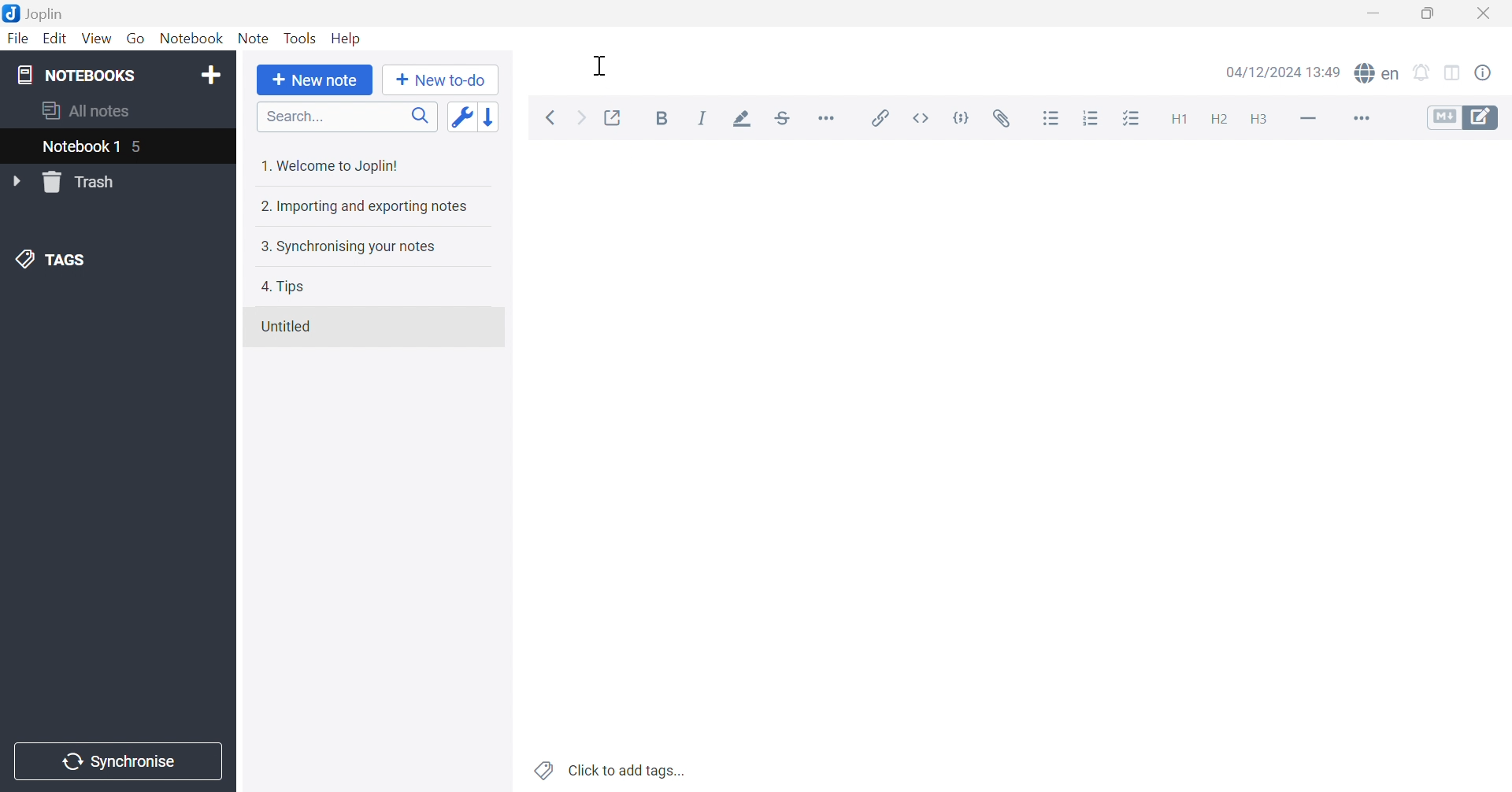 The image size is (1512, 792). Describe the element at coordinates (584, 120) in the screenshot. I see `Forward` at that location.